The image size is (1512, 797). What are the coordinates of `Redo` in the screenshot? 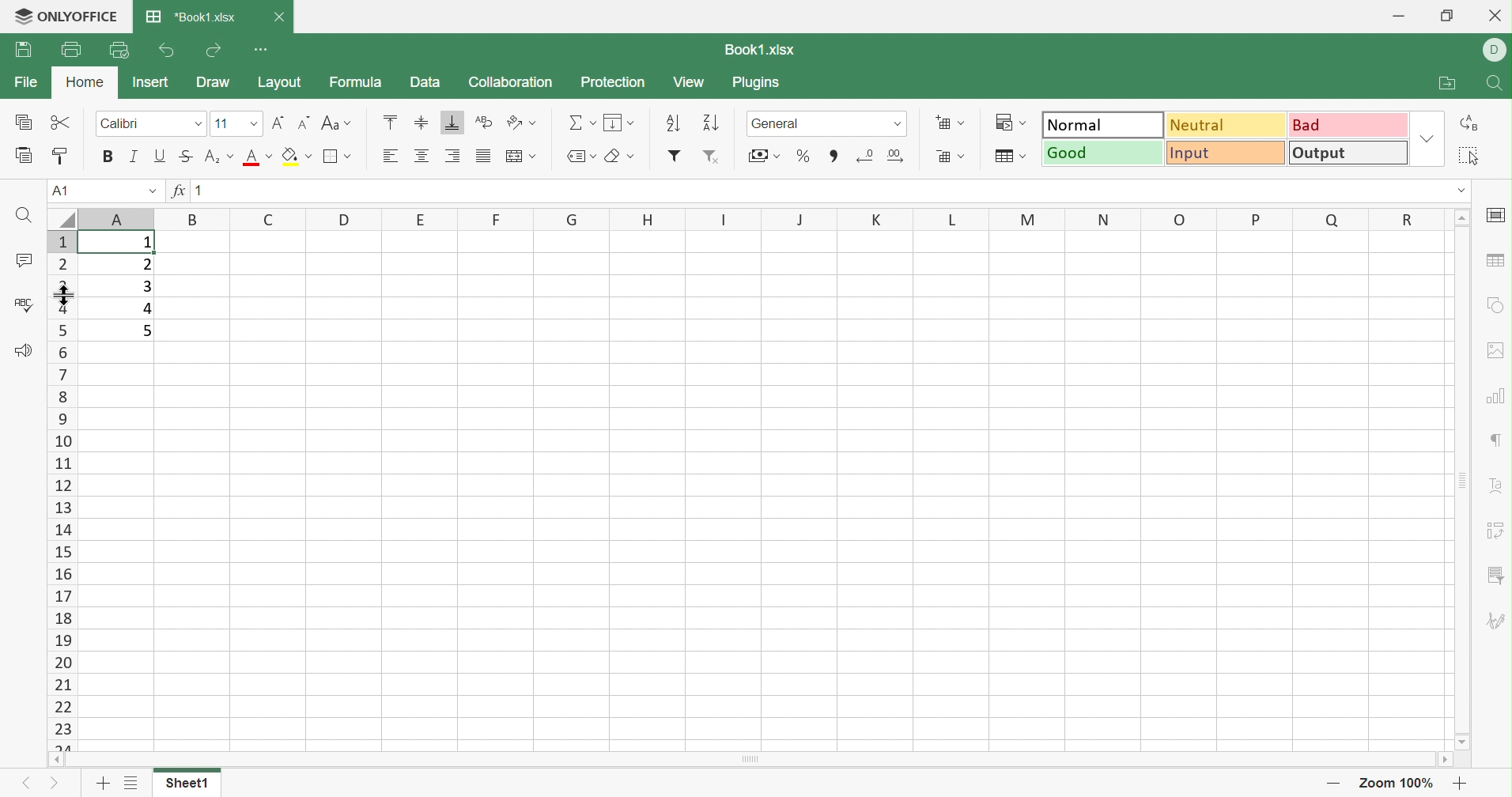 It's located at (214, 50).